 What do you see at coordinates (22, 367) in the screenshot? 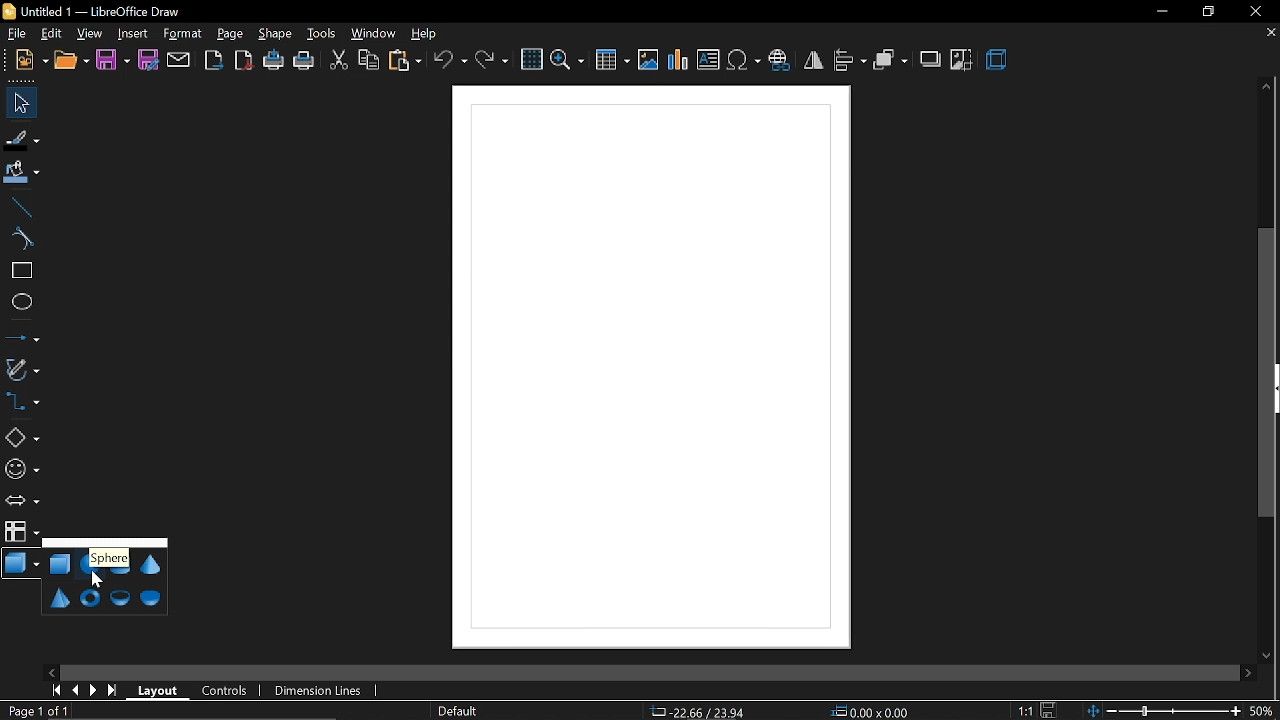
I see `curves and polygons` at bounding box center [22, 367].